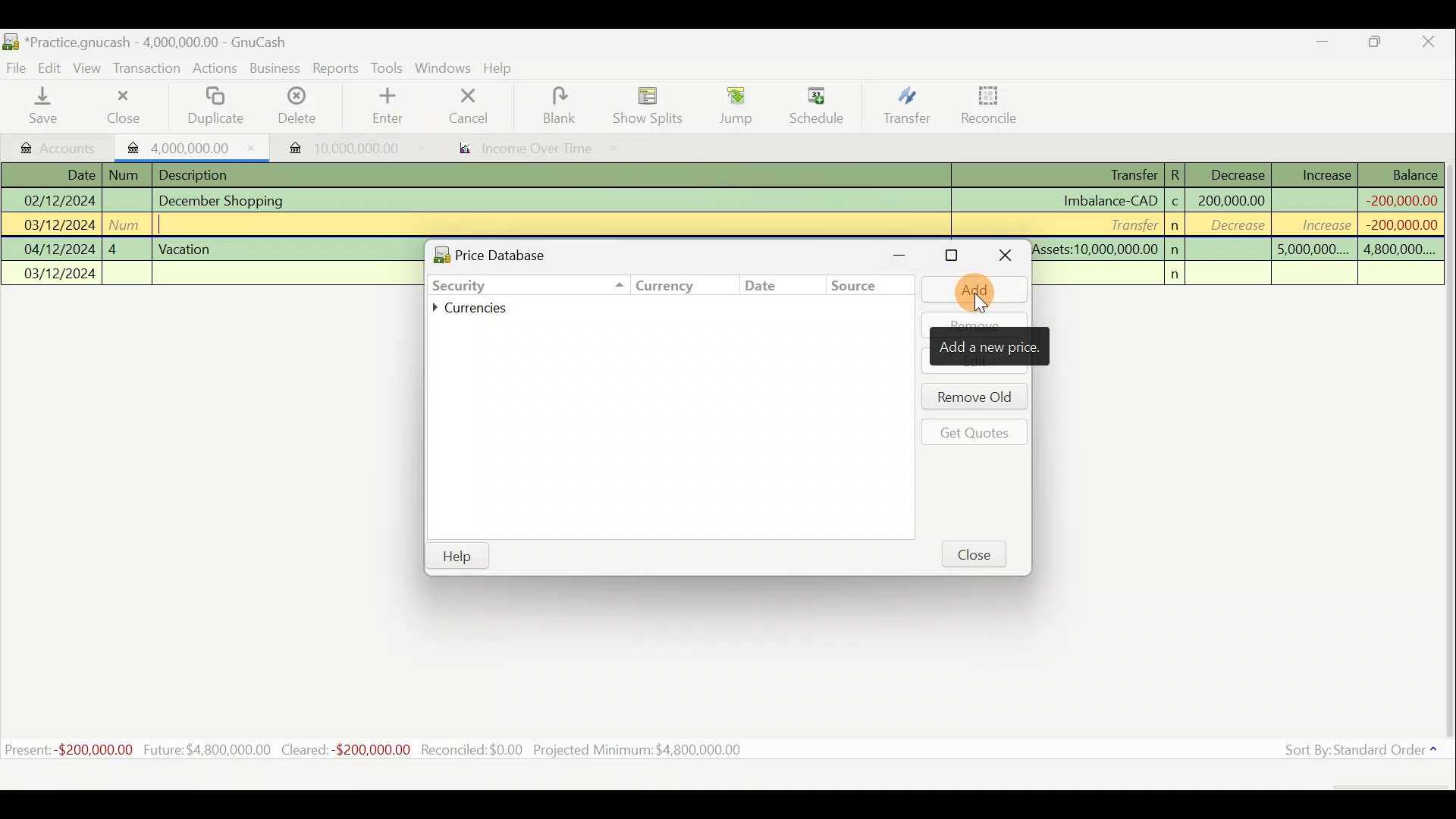 This screenshot has height=819, width=1456. What do you see at coordinates (457, 557) in the screenshot?
I see `Help` at bounding box center [457, 557].